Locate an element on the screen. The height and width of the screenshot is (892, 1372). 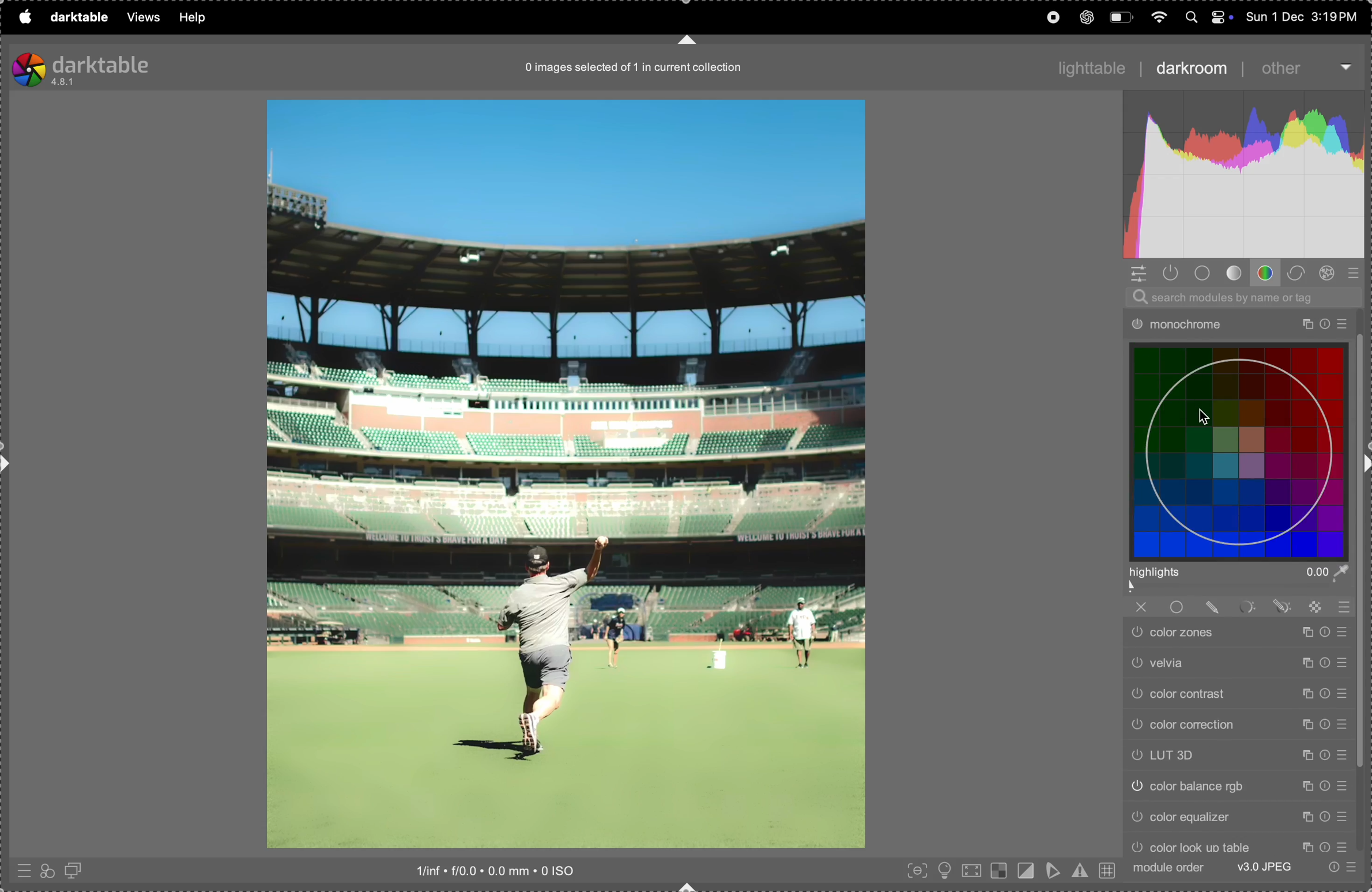
lighttable is located at coordinates (1091, 67).